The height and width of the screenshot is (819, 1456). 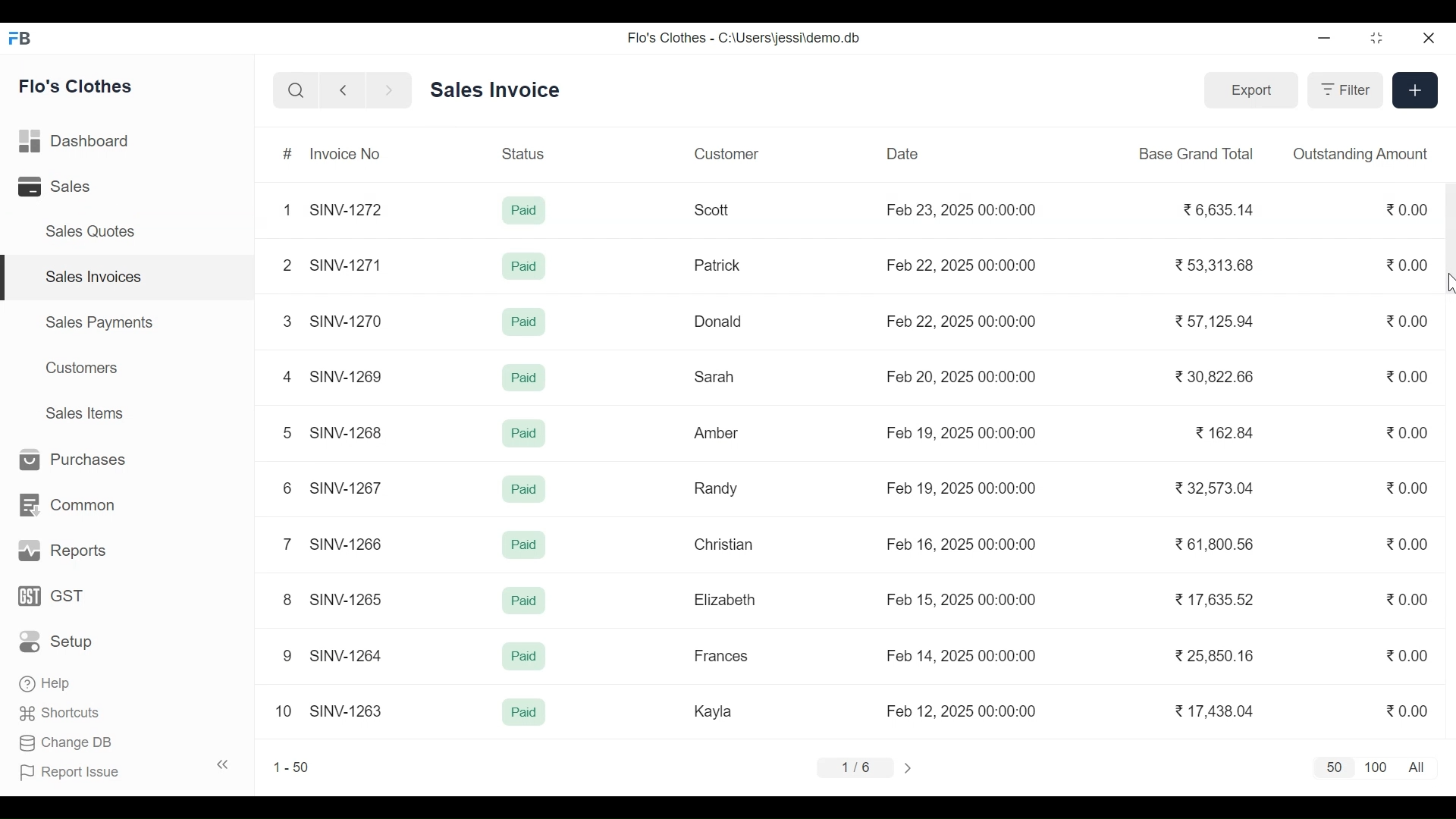 What do you see at coordinates (526, 152) in the screenshot?
I see `Status` at bounding box center [526, 152].